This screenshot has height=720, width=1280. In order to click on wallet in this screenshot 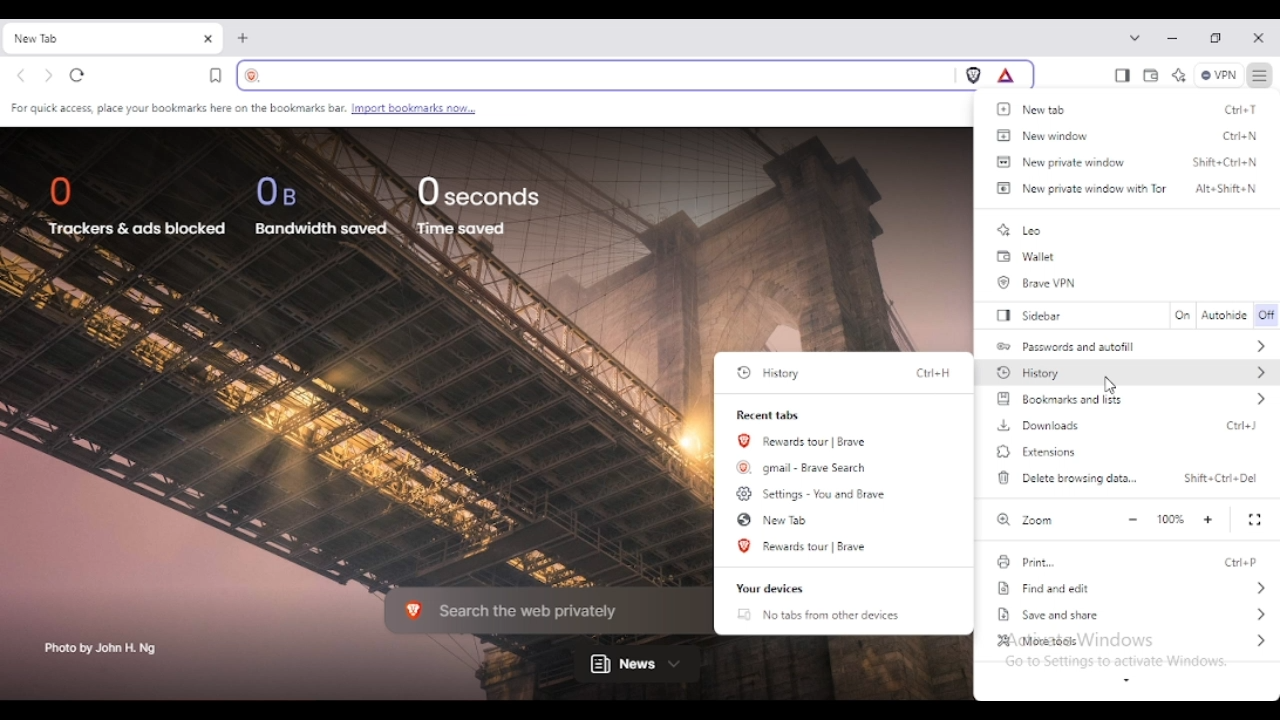, I will do `click(1026, 257)`.